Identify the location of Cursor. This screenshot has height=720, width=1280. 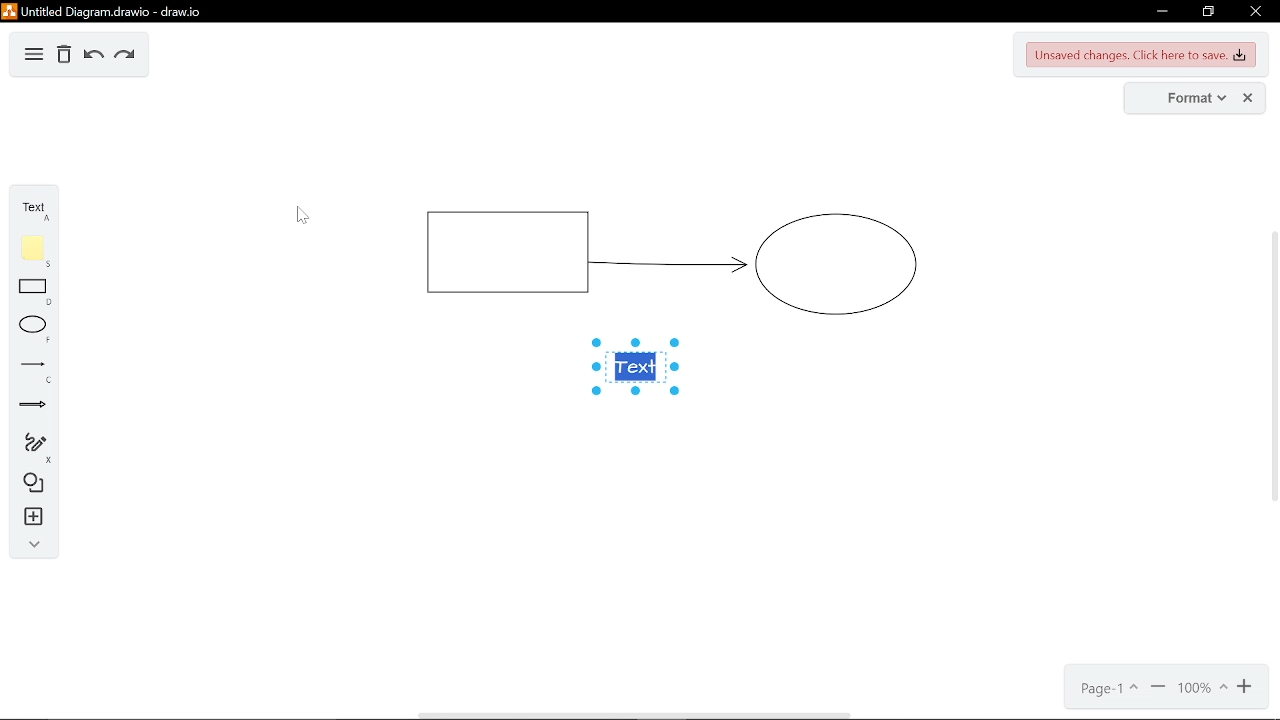
(314, 217).